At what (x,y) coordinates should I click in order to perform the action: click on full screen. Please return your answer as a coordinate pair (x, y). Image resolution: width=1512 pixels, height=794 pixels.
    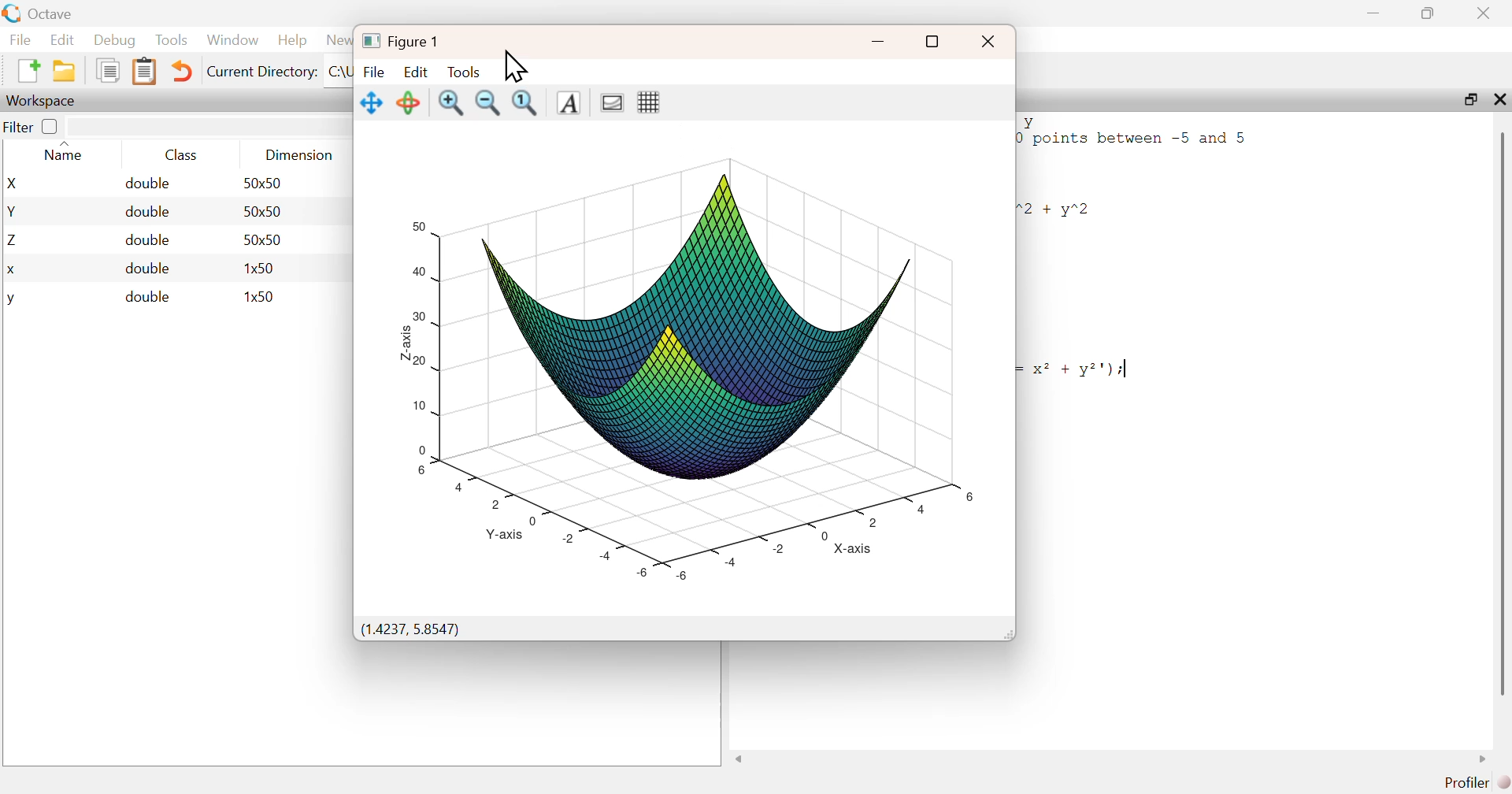
    Looking at the image, I should click on (931, 42).